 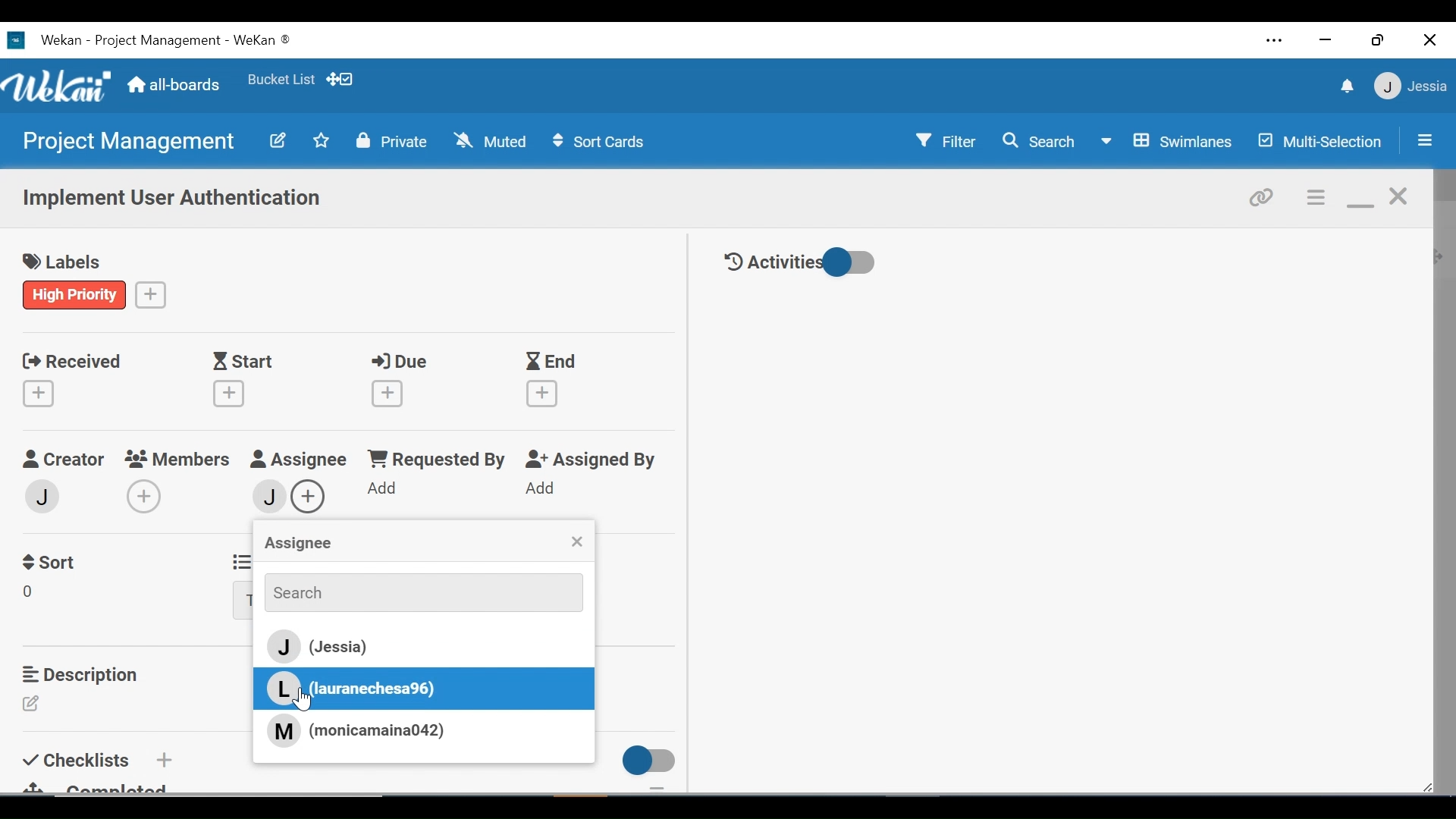 I want to click on jessia, so click(x=267, y=495).